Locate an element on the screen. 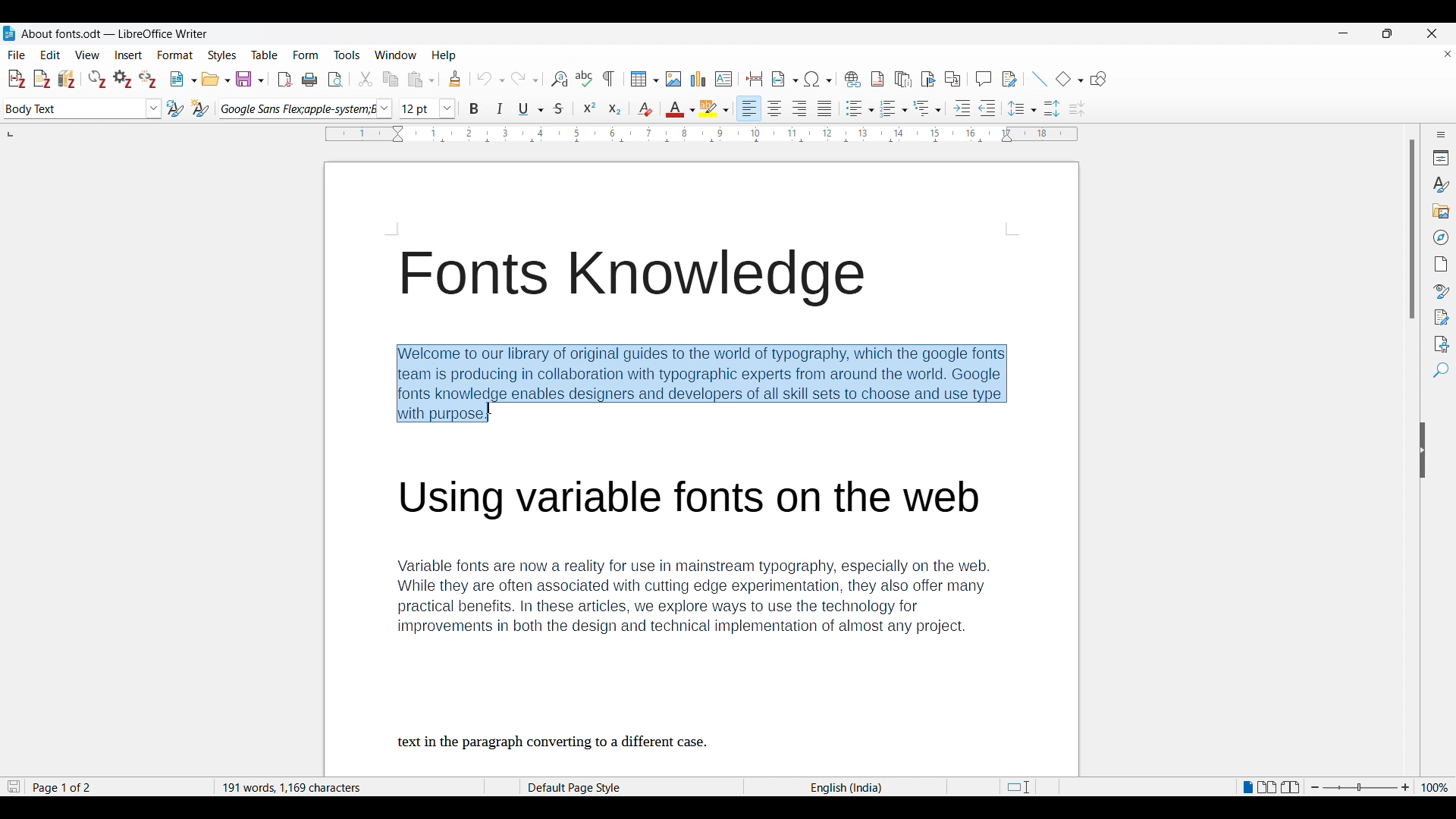  Gallery  is located at coordinates (1442, 211).